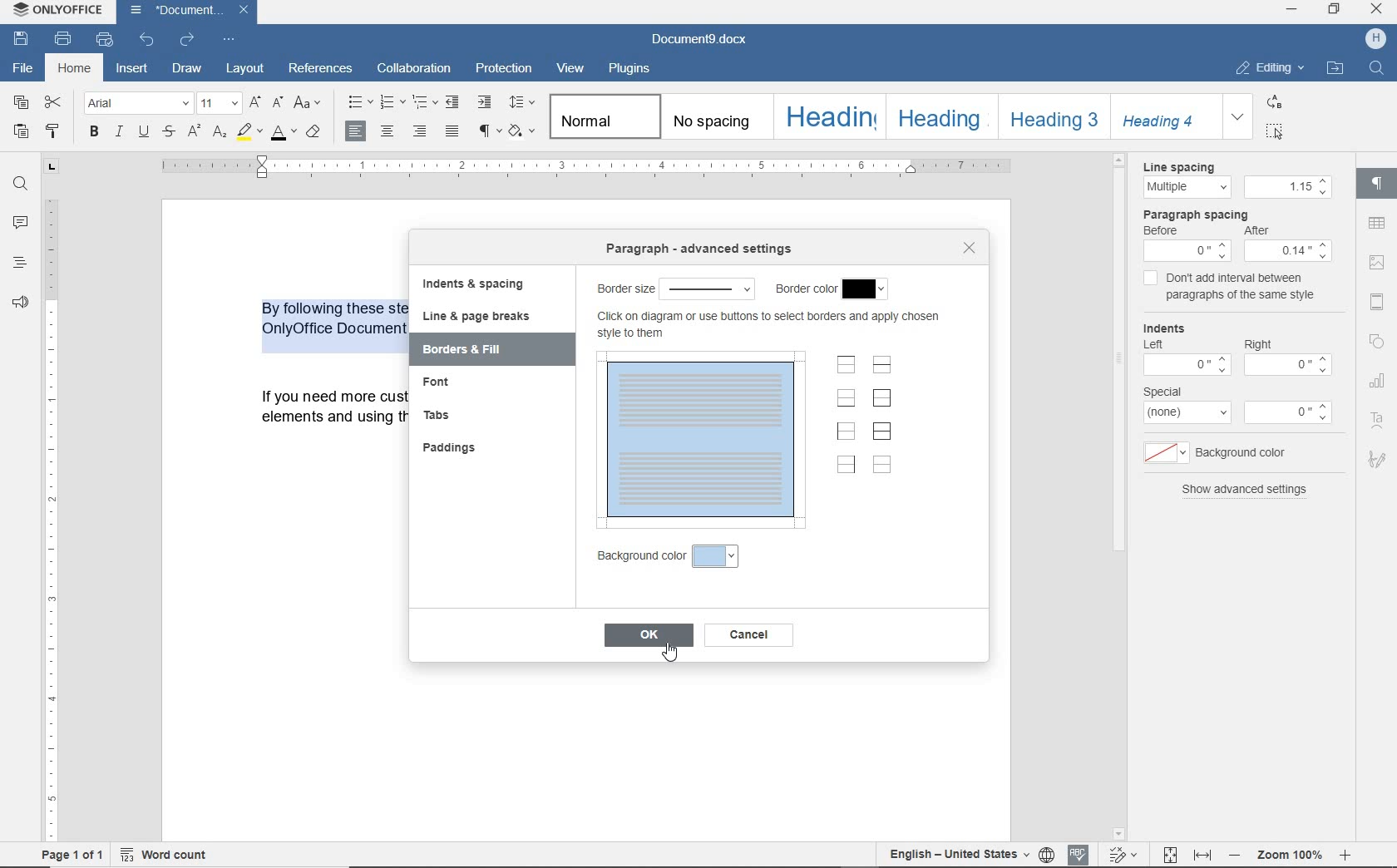 The height and width of the screenshot is (868, 1397). What do you see at coordinates (473, 284) in the screenshot?
I see `indents & spacing` at bounding box center [473, 284].